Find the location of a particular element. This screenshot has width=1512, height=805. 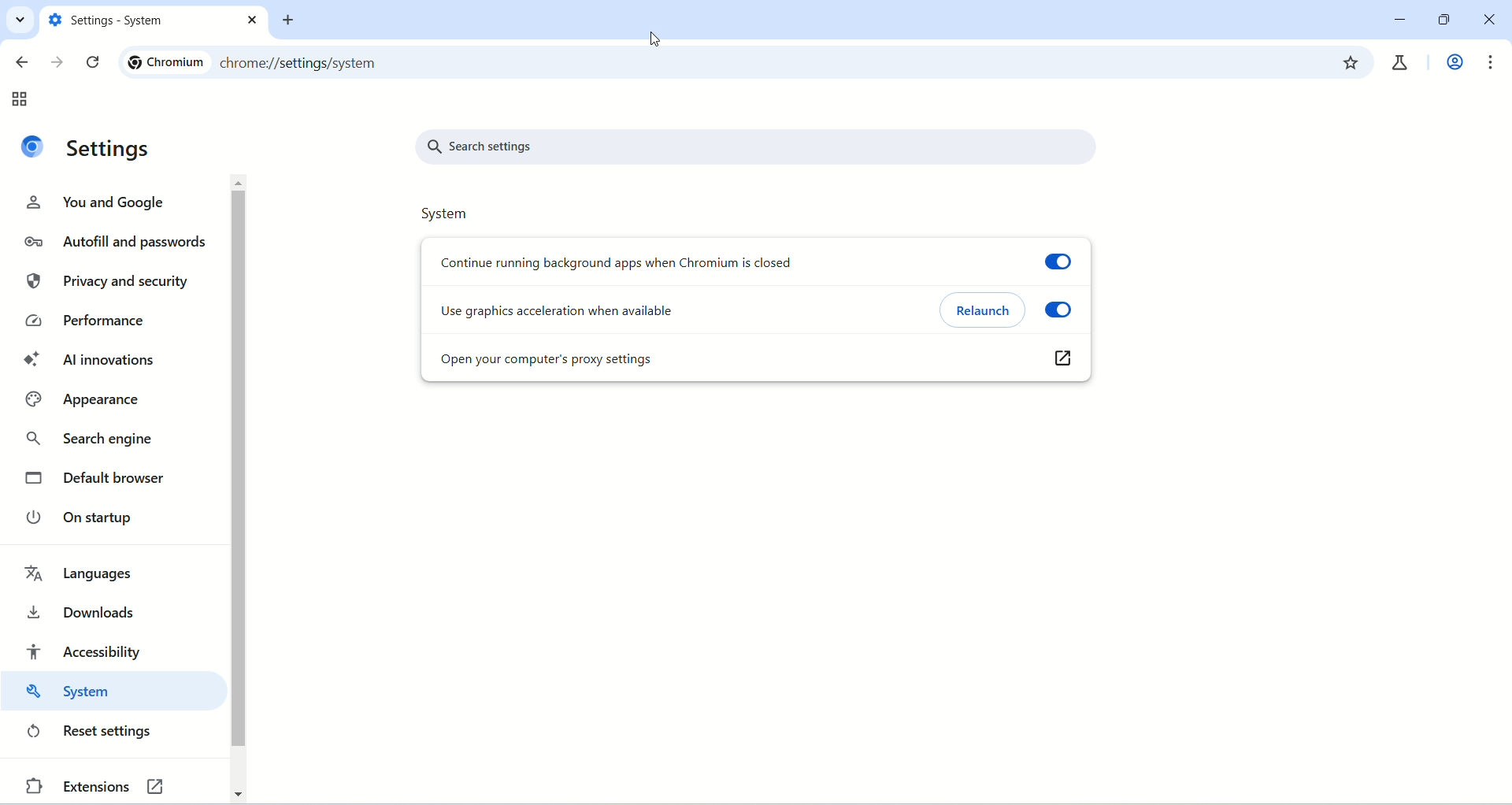

maximize is located at coordinates (1440, 20).